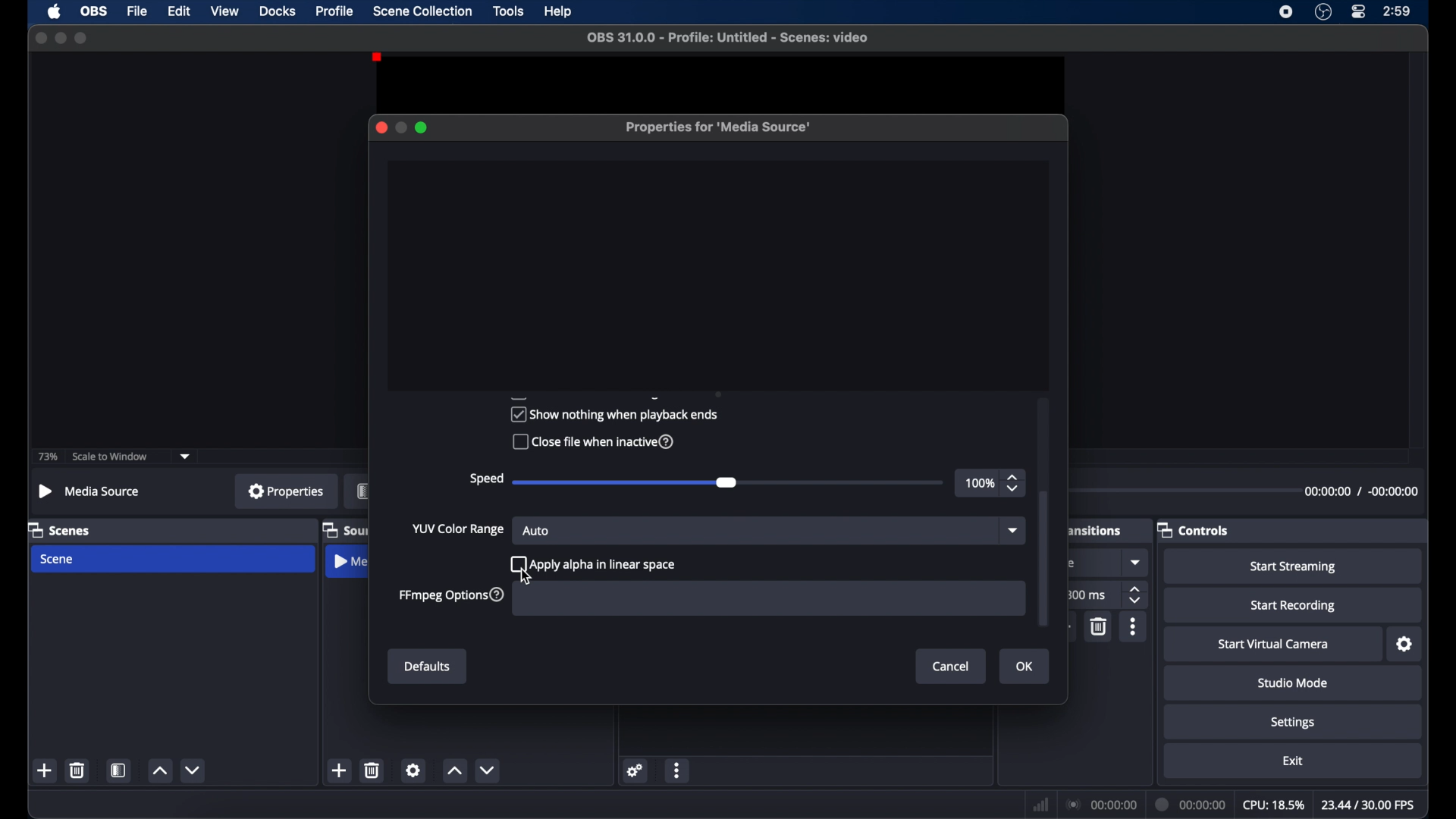  I want to click on studio mode, so click(1291, 684).